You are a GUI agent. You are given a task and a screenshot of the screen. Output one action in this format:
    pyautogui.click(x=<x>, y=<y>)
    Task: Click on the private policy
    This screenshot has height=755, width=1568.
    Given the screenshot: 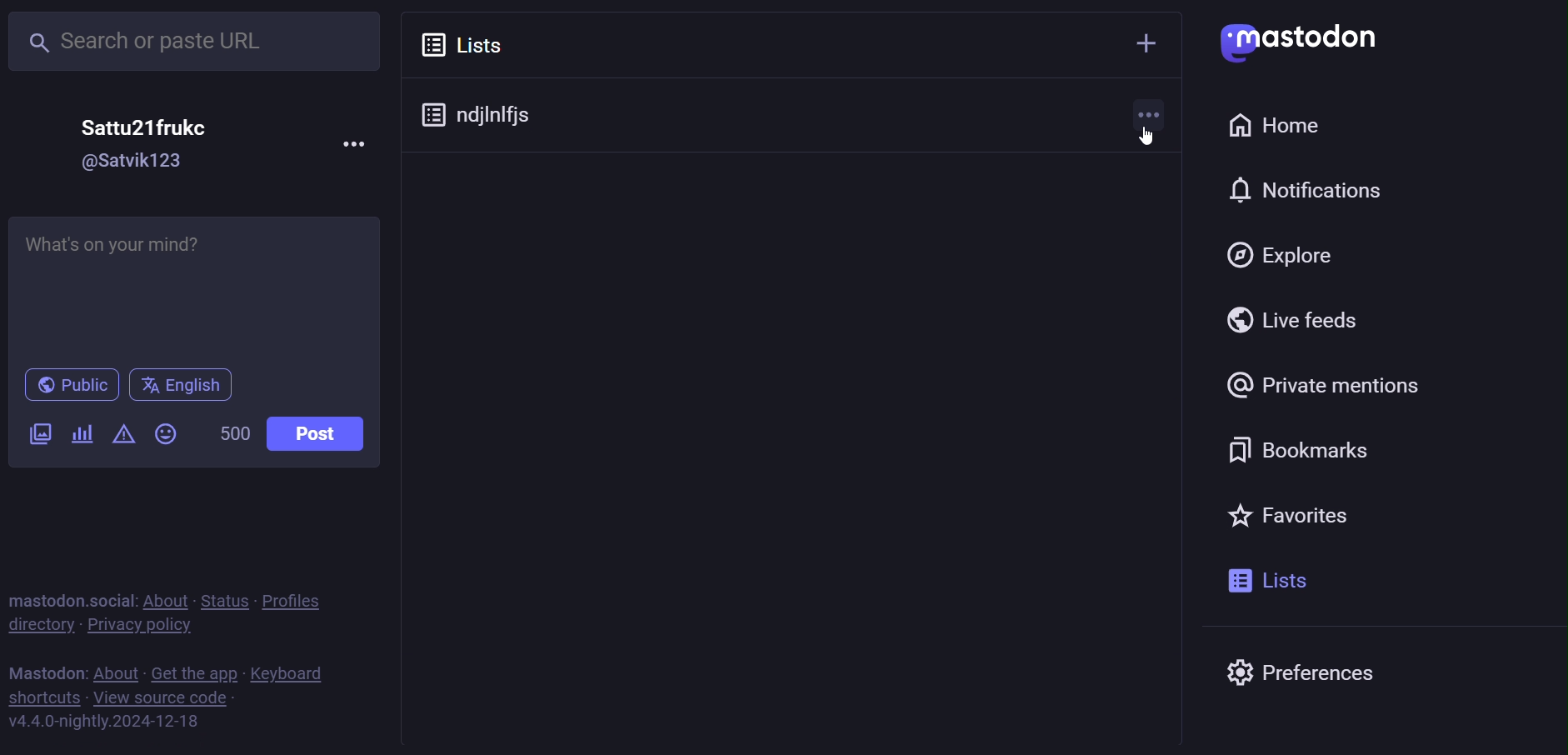 What is the action you would take?
    pyautogui.click(x=144, y=626)
    